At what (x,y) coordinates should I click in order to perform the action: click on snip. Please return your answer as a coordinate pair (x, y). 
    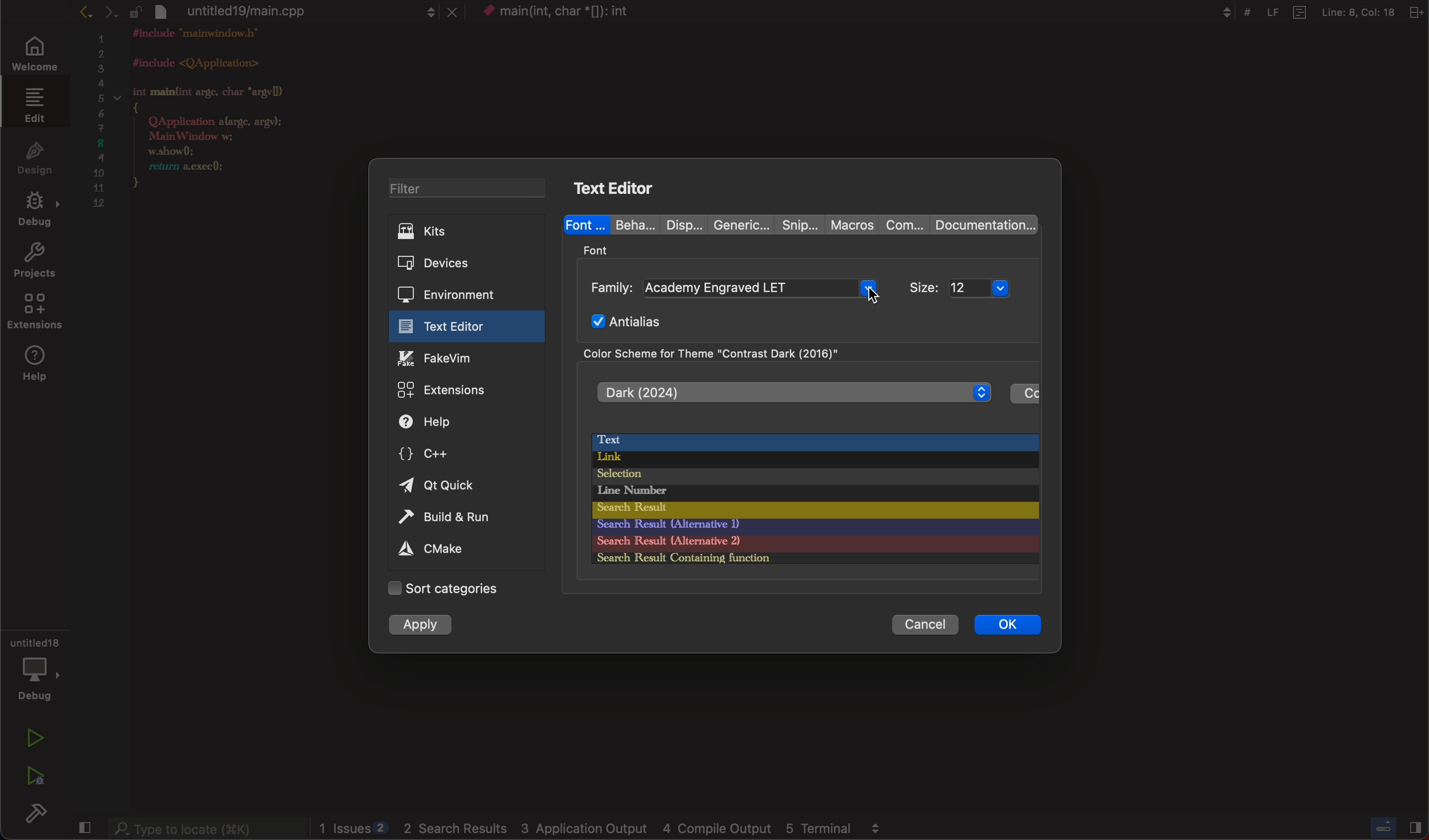
    Looking at the image, I should click on (797, 223).